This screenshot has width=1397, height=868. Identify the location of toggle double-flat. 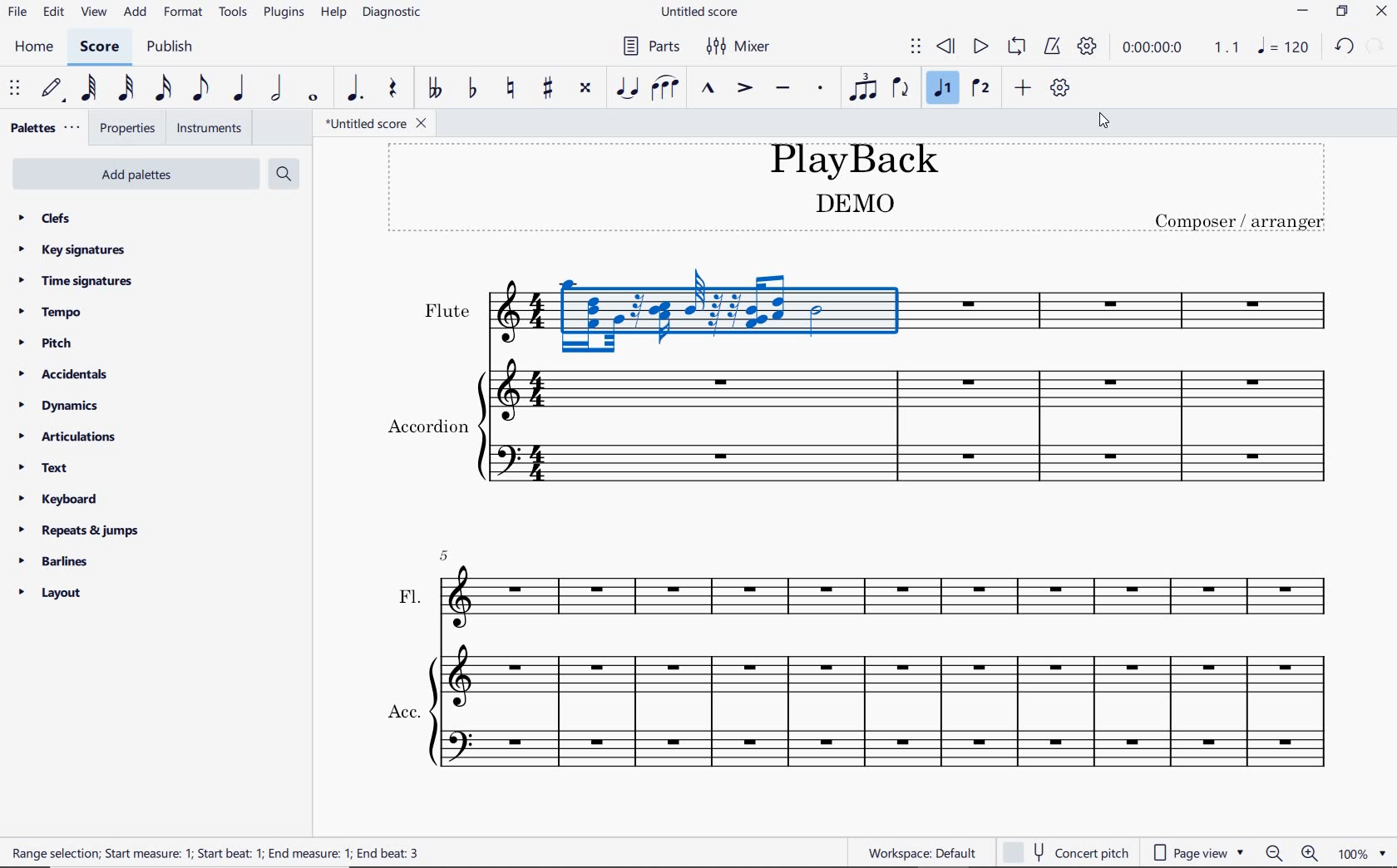
(433, 87).